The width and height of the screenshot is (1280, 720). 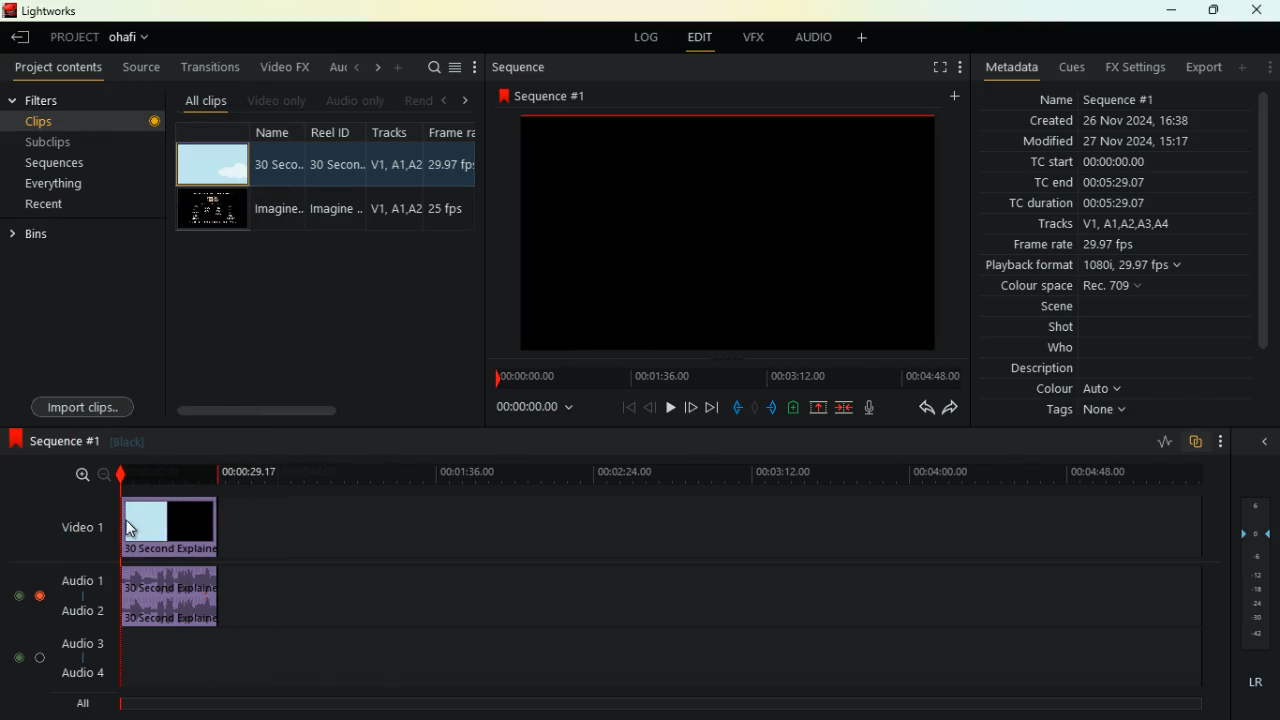 I want to click on lightworks, so click(x=49, y=11).